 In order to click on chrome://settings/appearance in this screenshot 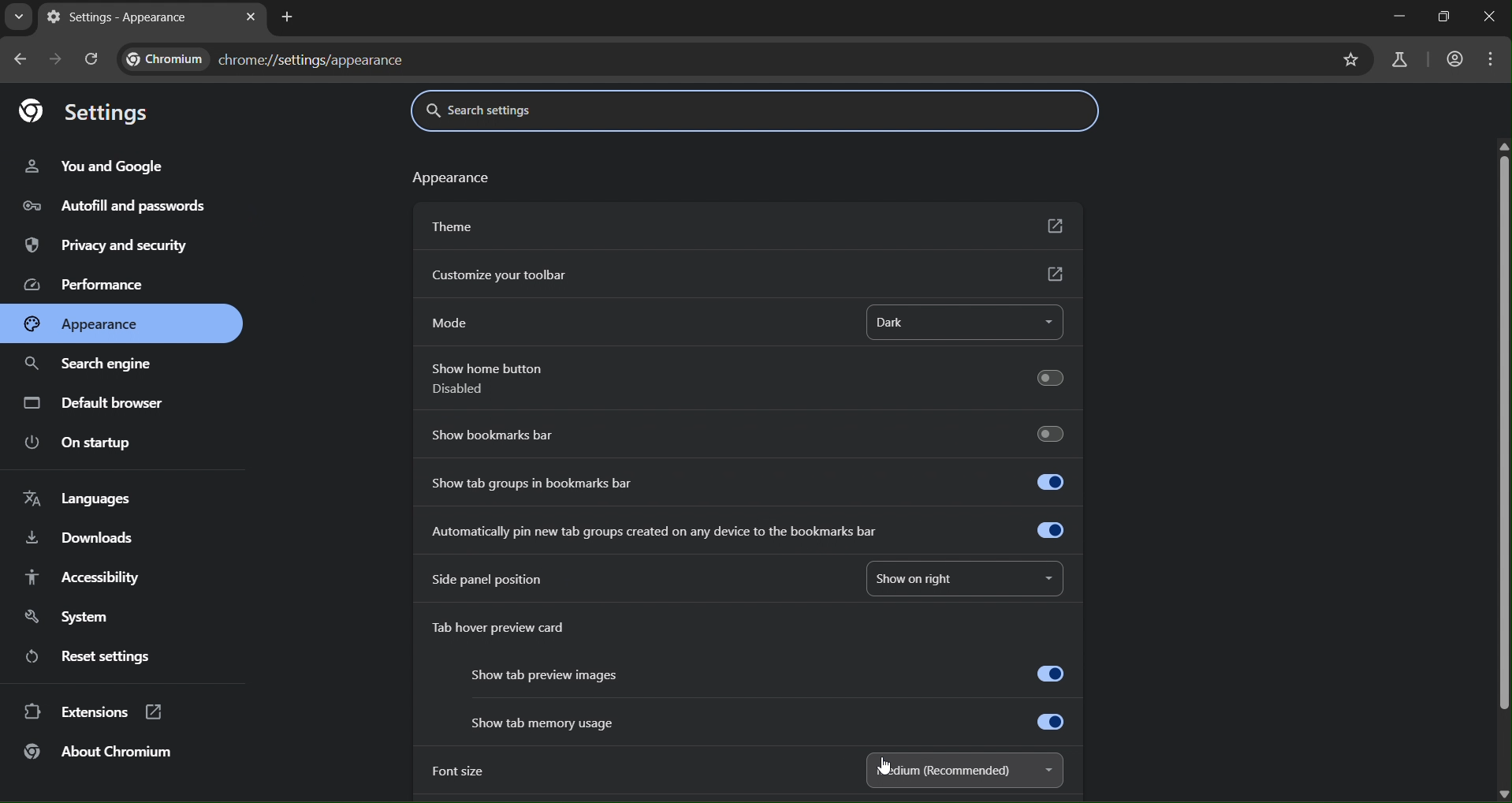, I will do `click(263, 60)`.